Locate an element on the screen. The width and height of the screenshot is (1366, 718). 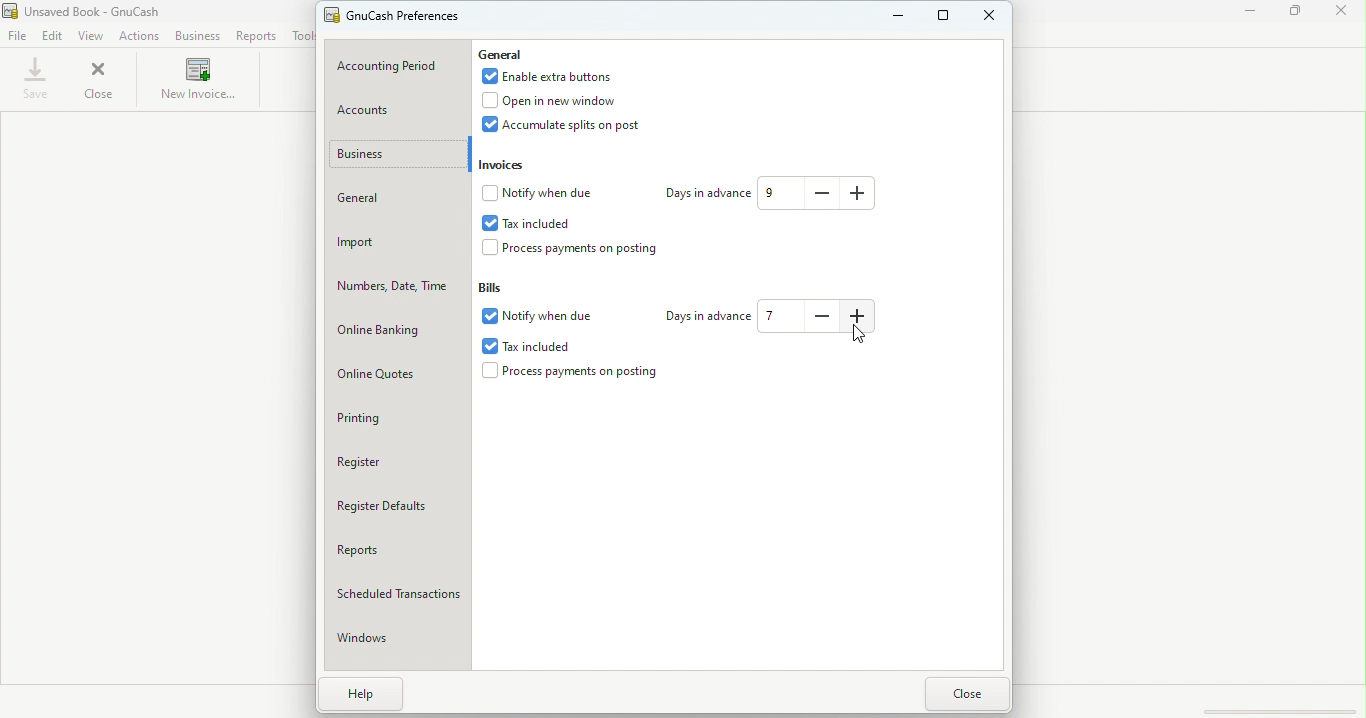
New invoice is located at coordinates (195, 81).